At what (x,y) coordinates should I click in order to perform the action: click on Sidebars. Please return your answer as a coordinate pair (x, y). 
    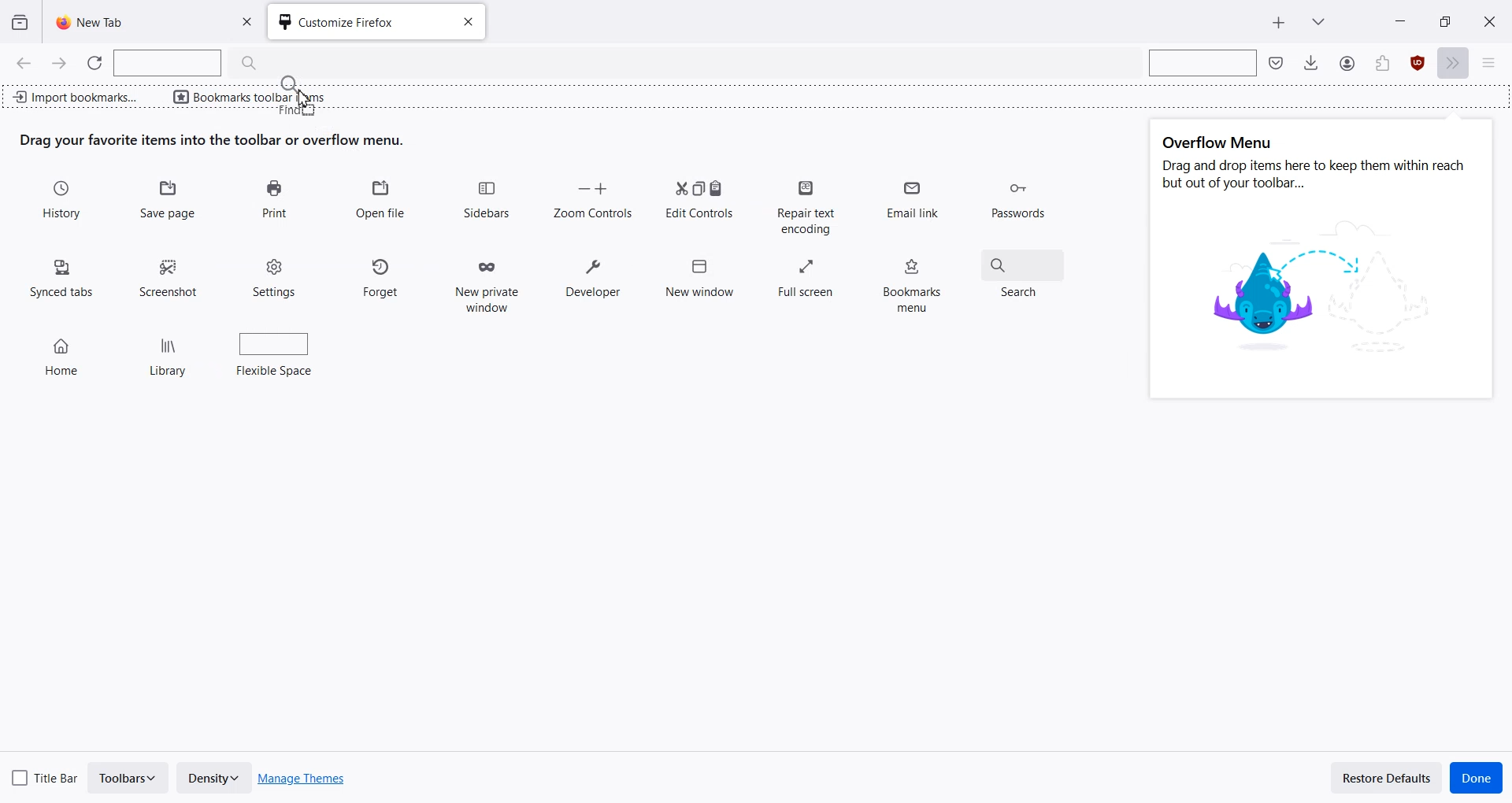
    Looking at the image, I should click on (488, 200).